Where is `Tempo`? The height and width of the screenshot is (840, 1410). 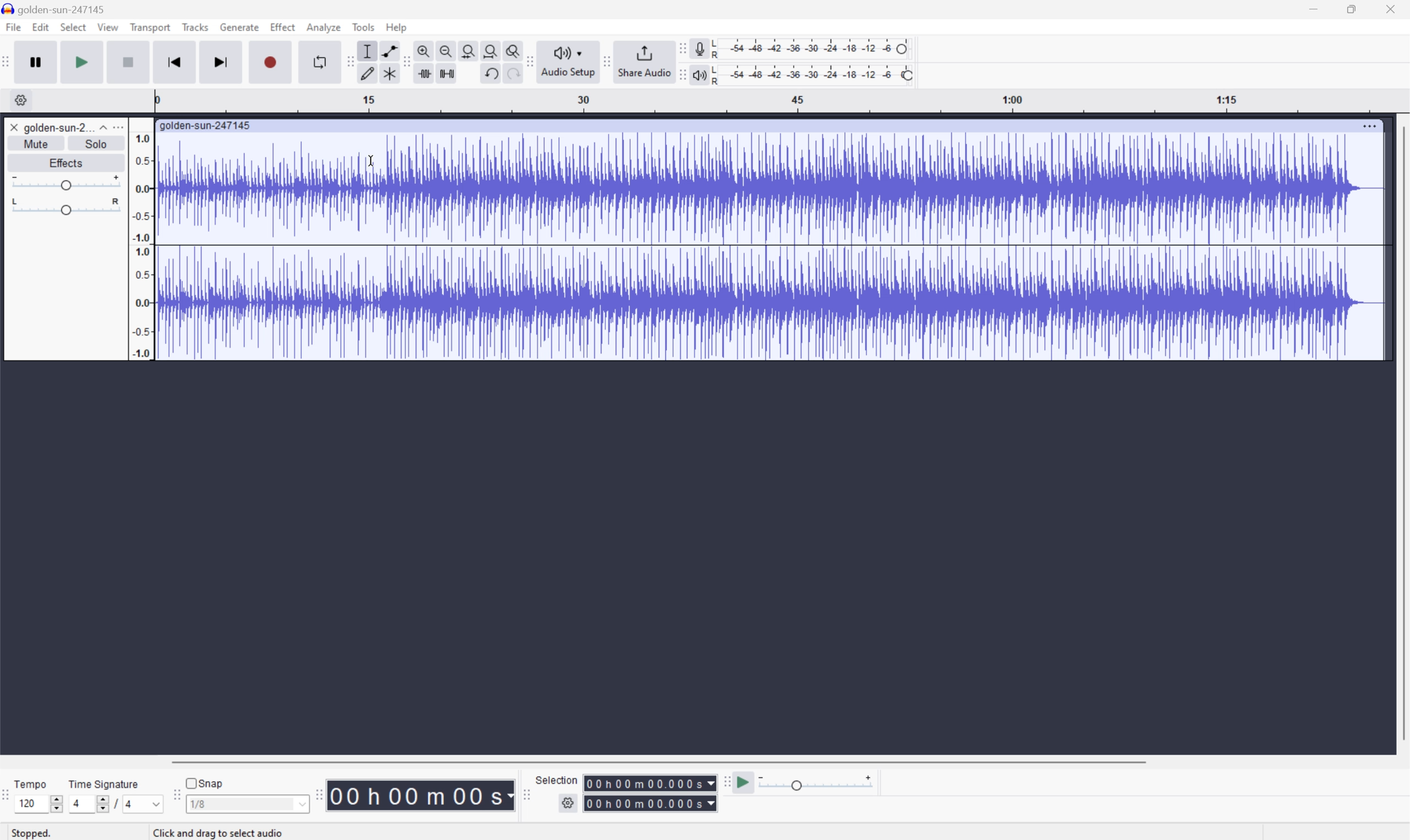
Tempo is located at coordinates (30, 783).